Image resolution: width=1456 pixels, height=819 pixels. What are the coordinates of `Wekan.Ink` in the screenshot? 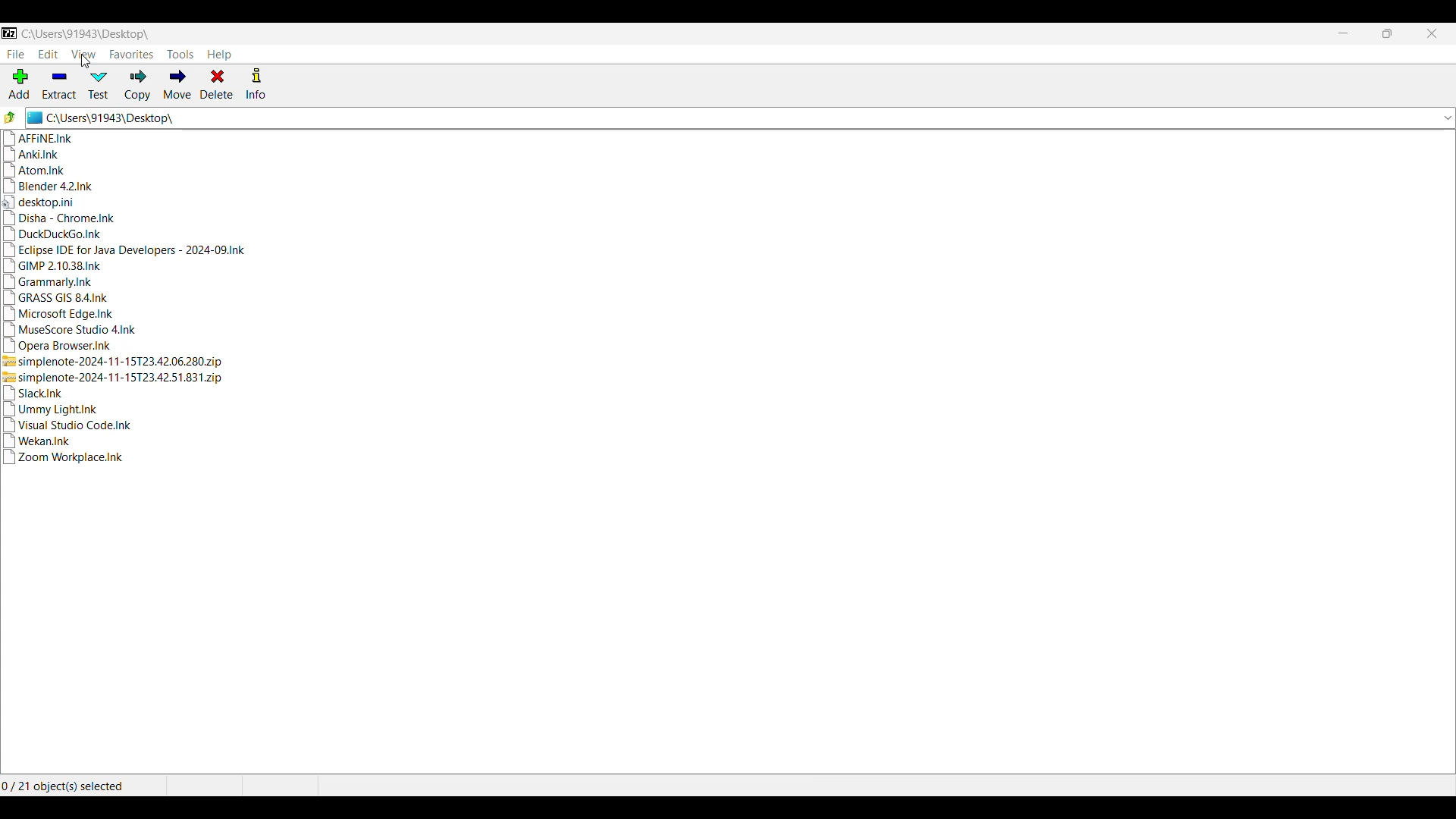 It's located at (64, 440).